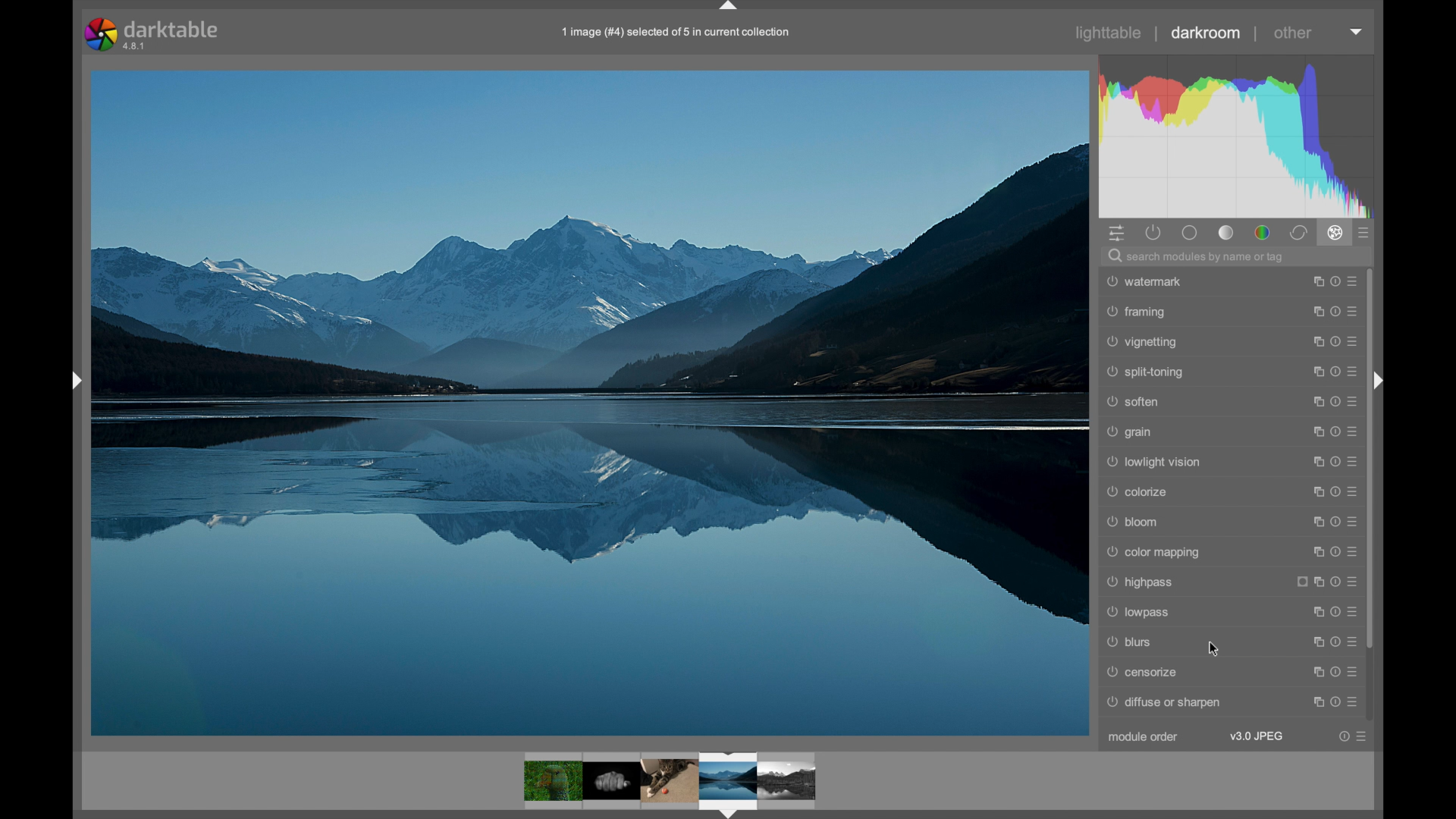 This screenshot has height=819, width=1456. What do you see at coordinates (74, 380) in the screenshot?
I see `drag handle` at bounding box center [74, 380].